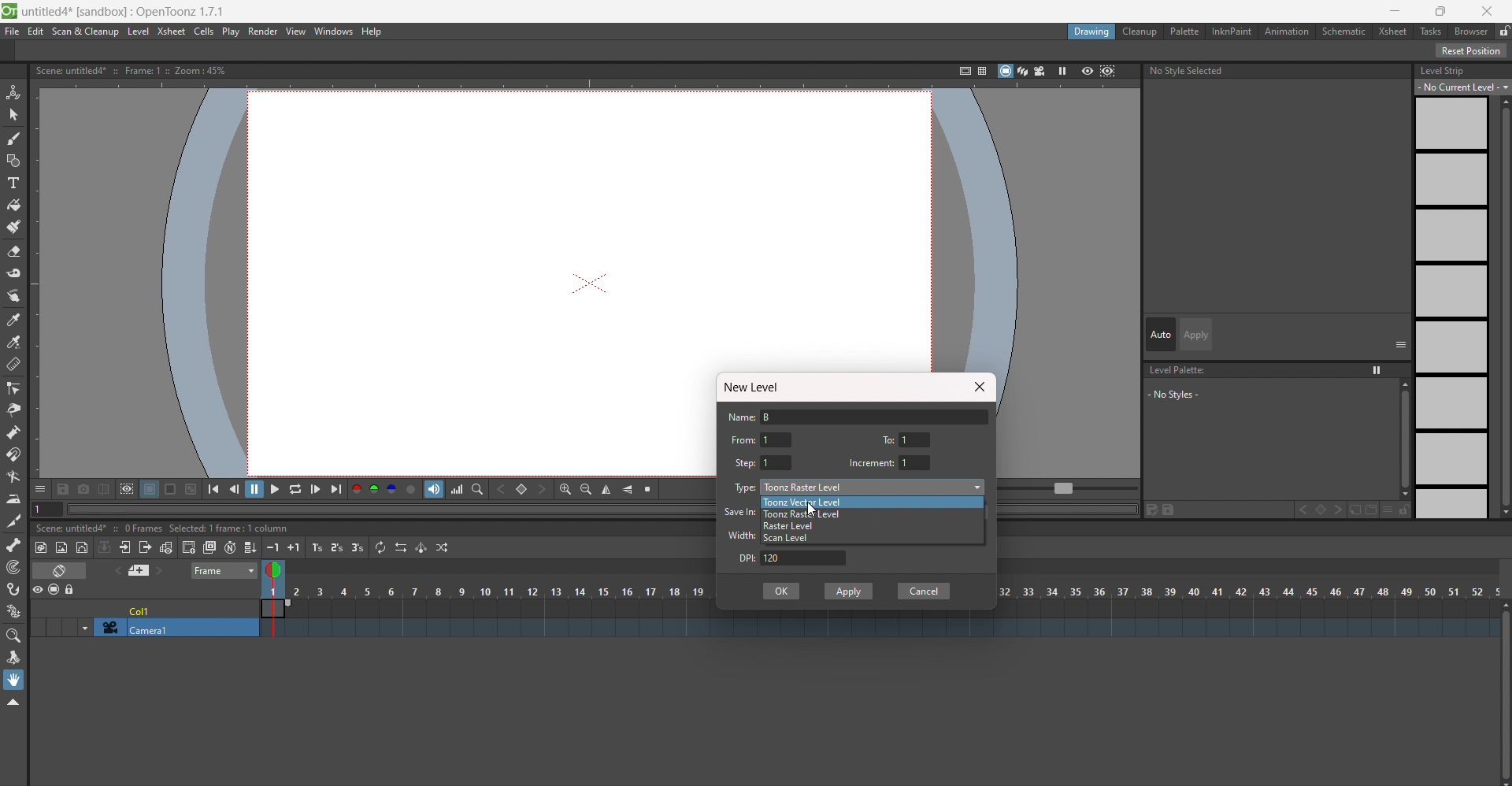 Image resolution: width=1512 pixels, height=786 pixels. Describe the element at coordinates (14, 589) in the screenshot. I see `hook tool` at that location.